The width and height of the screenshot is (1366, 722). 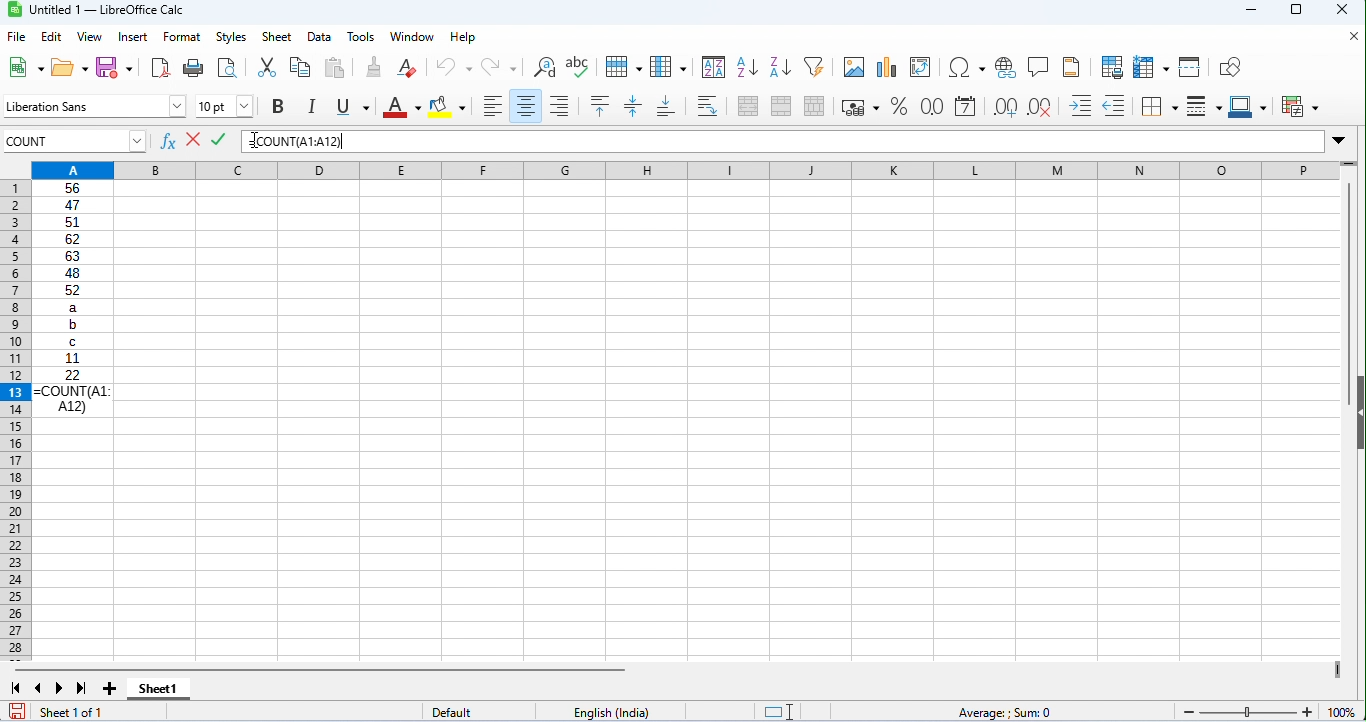 I want to click on print, so click(x=192, y=69).